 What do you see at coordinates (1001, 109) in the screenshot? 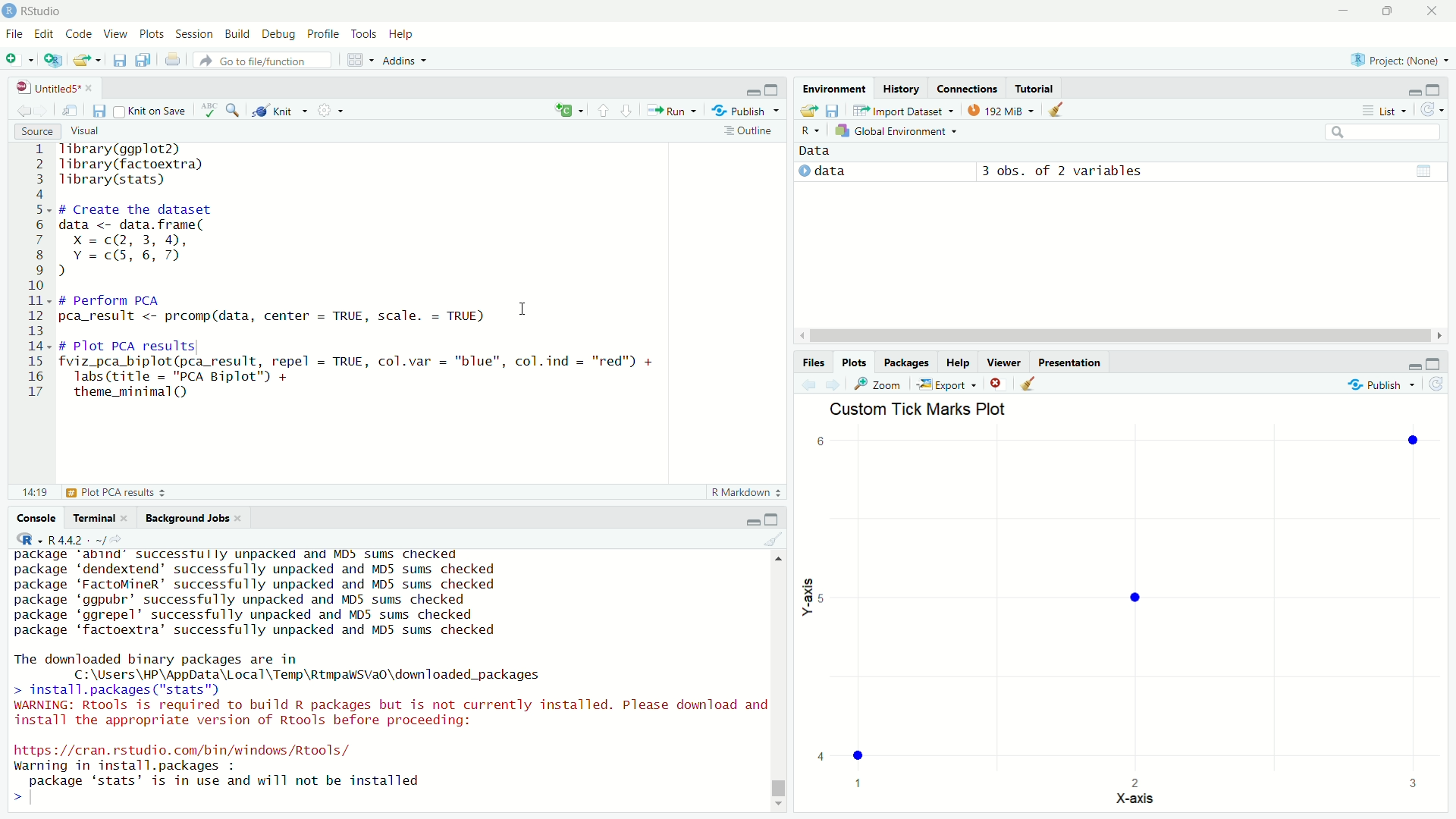
I see `memory usage` at bounding box center [1001, 109].